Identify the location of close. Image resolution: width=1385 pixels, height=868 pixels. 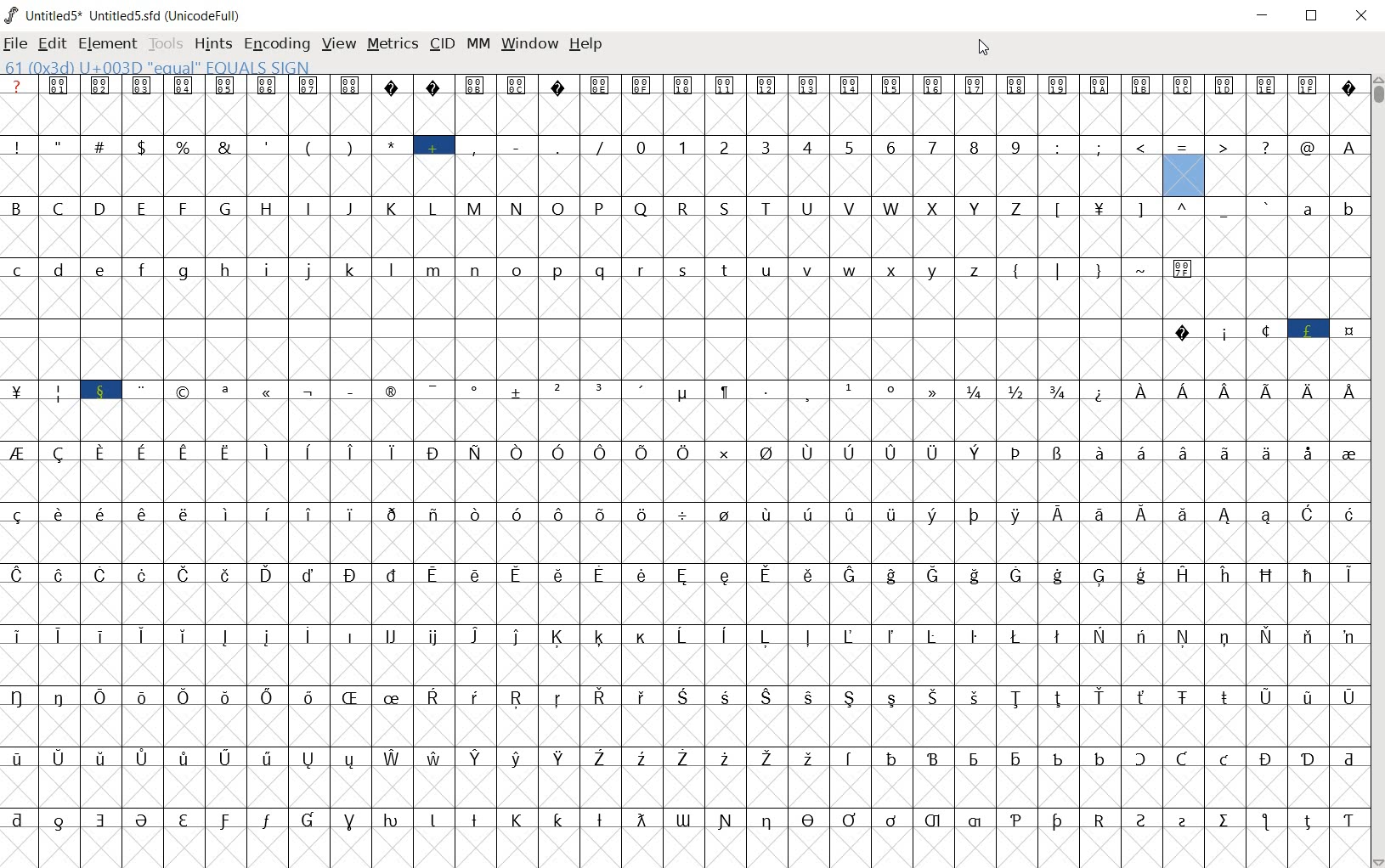
(1361, 17).